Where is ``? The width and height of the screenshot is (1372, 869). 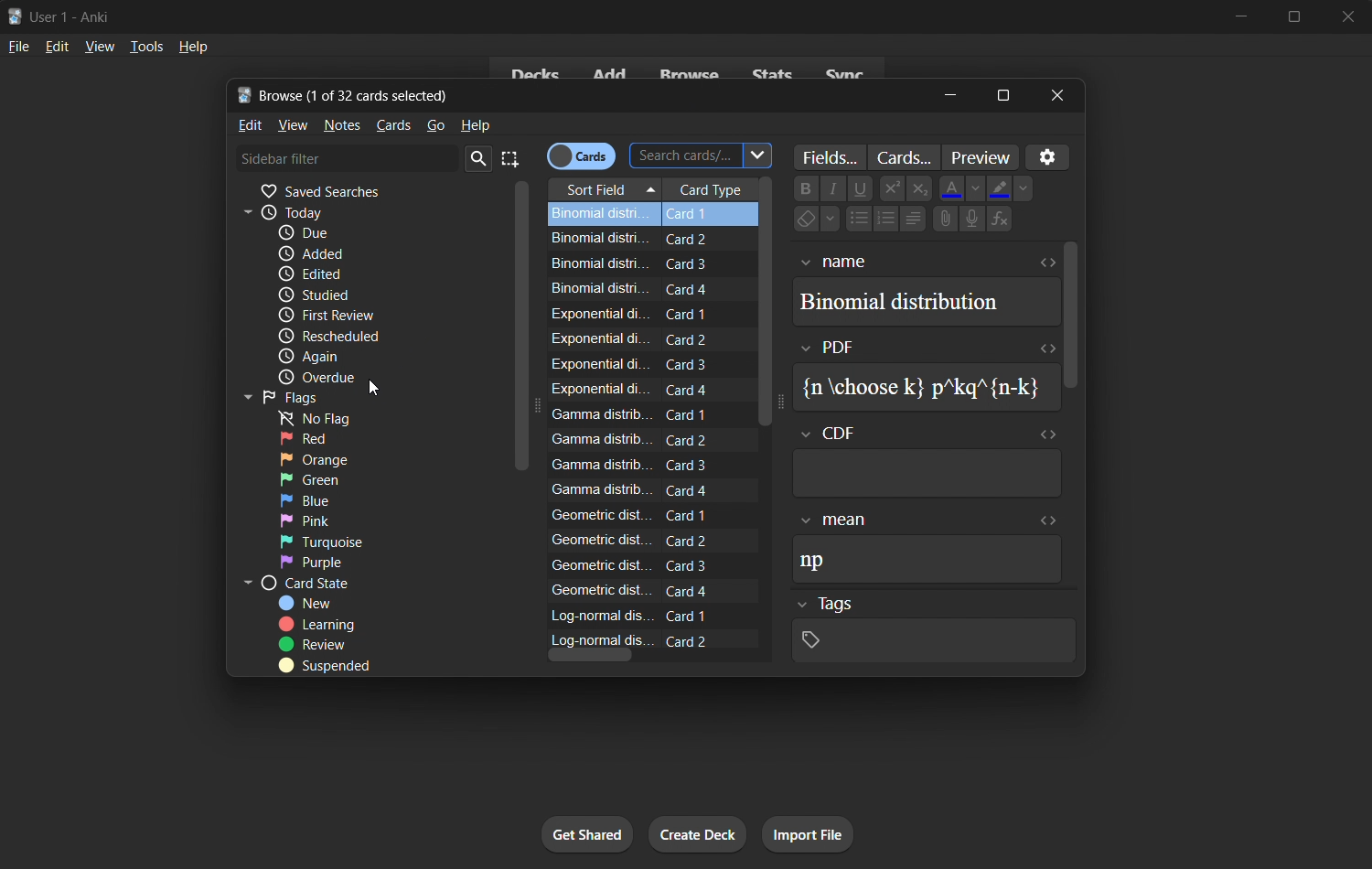  is located at coordinates (858, 220).